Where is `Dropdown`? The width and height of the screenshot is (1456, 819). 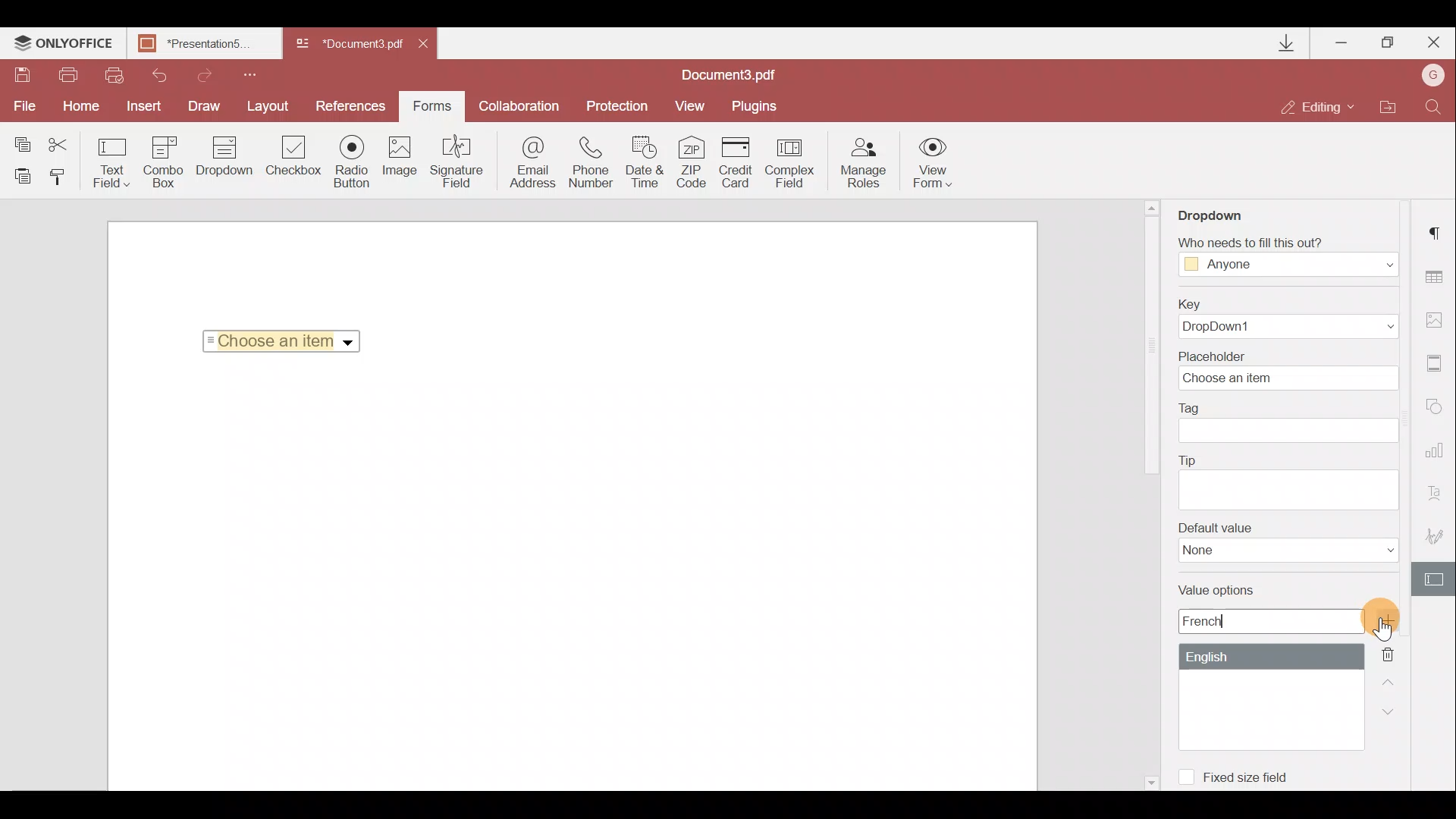 Dropdown is located at coordinates (1224, 210).